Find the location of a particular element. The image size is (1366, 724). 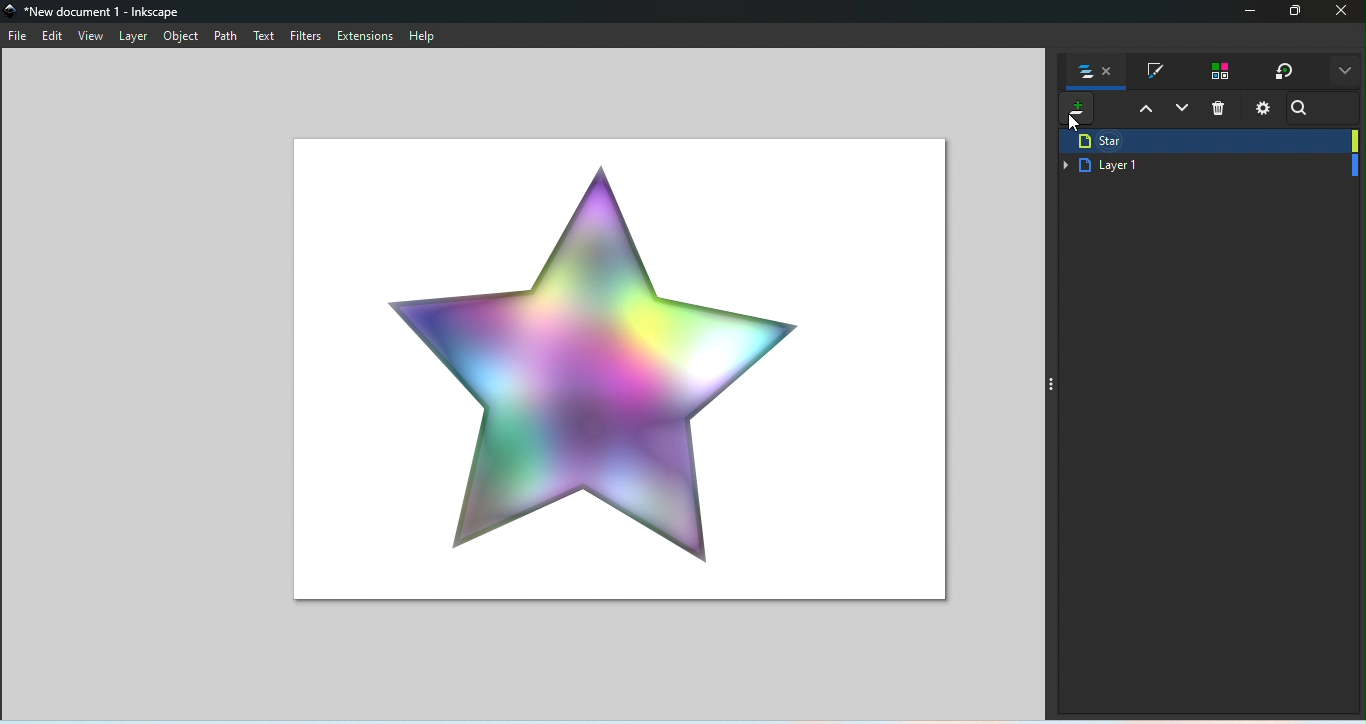

Star is located at coordinates (1209, 140).